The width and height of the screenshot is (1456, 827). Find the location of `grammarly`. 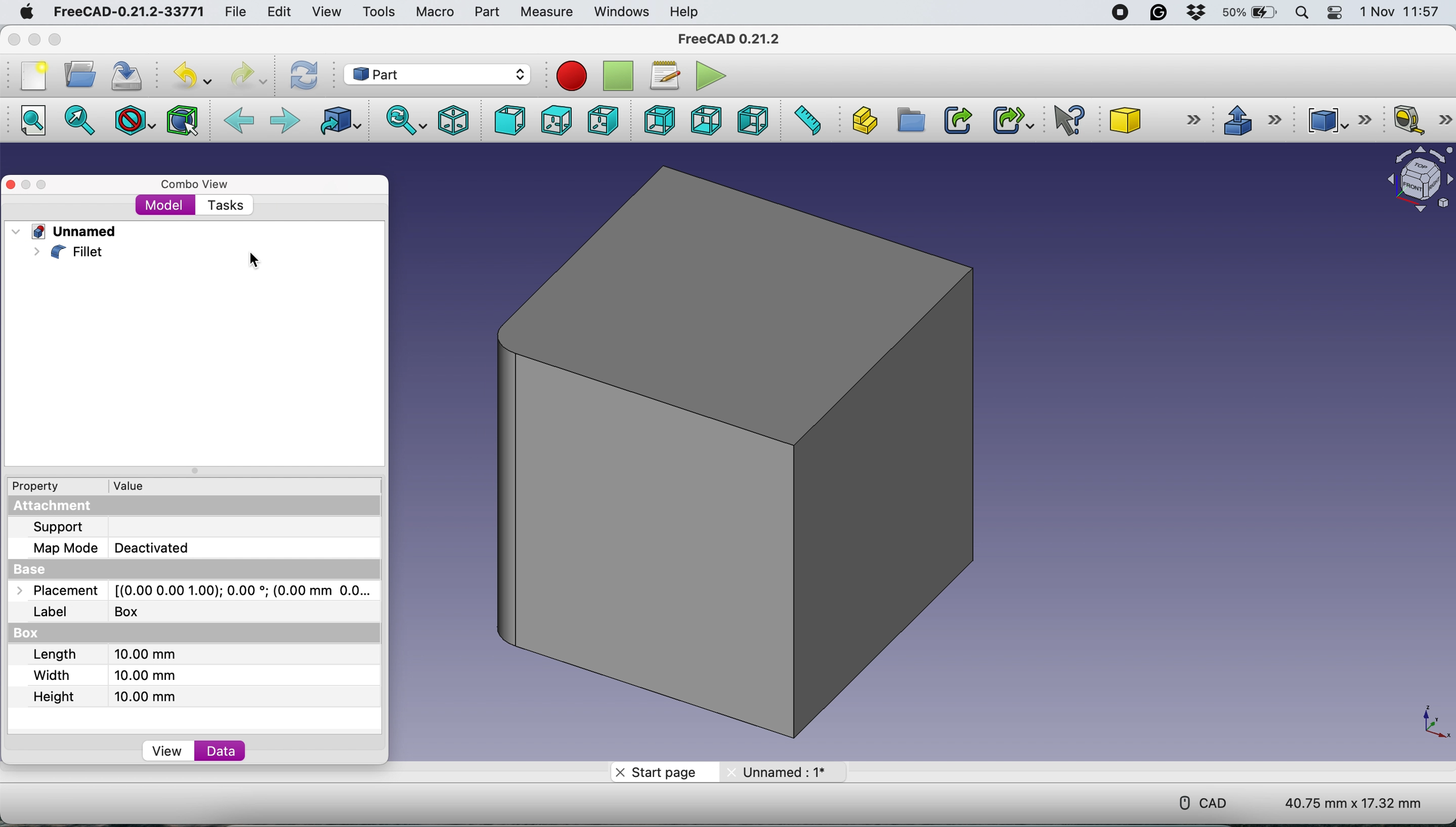

grammarly is located at coordinates (1162, 13).